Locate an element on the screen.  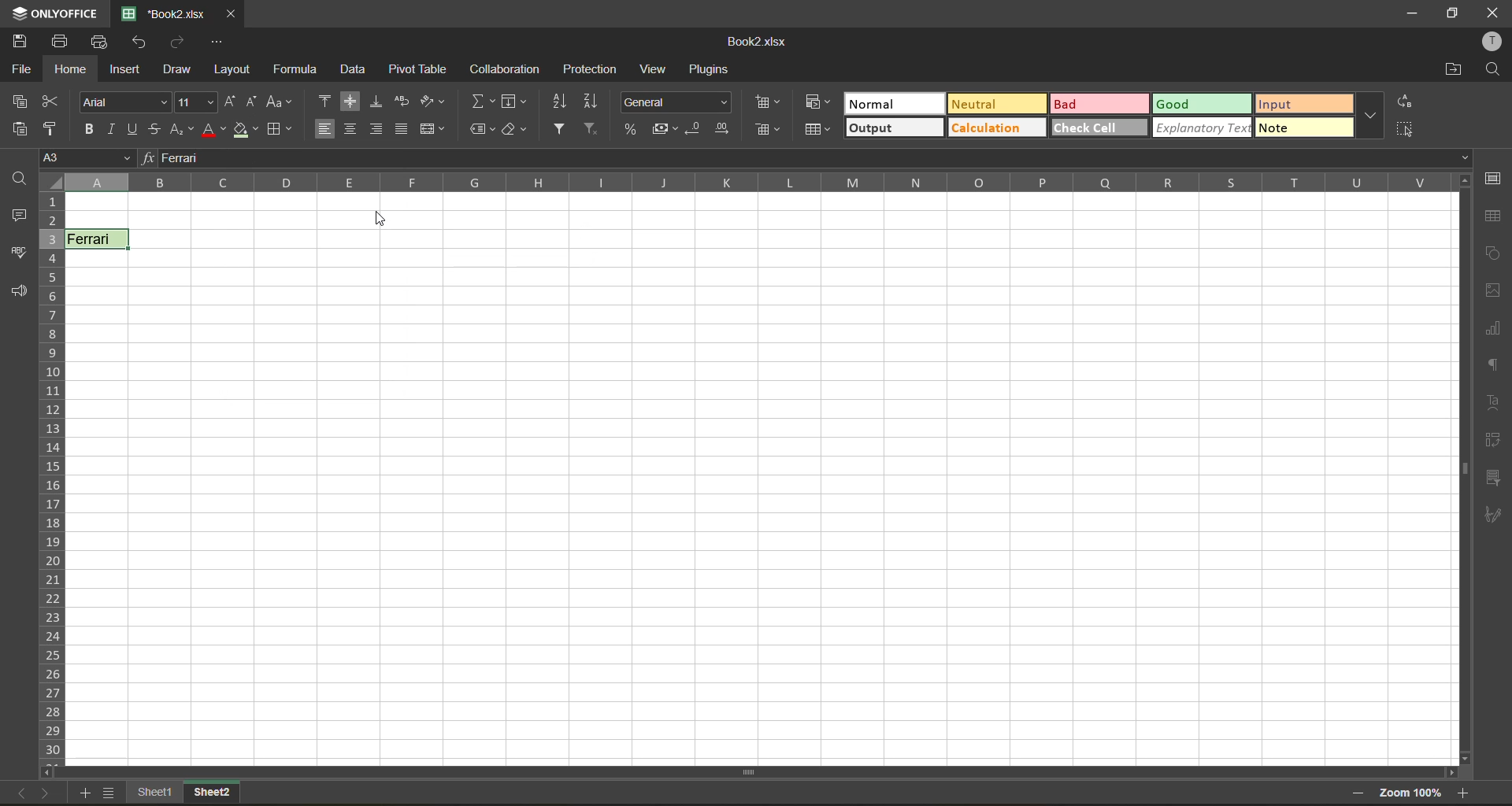
justified is located at coordinates (402, 131).